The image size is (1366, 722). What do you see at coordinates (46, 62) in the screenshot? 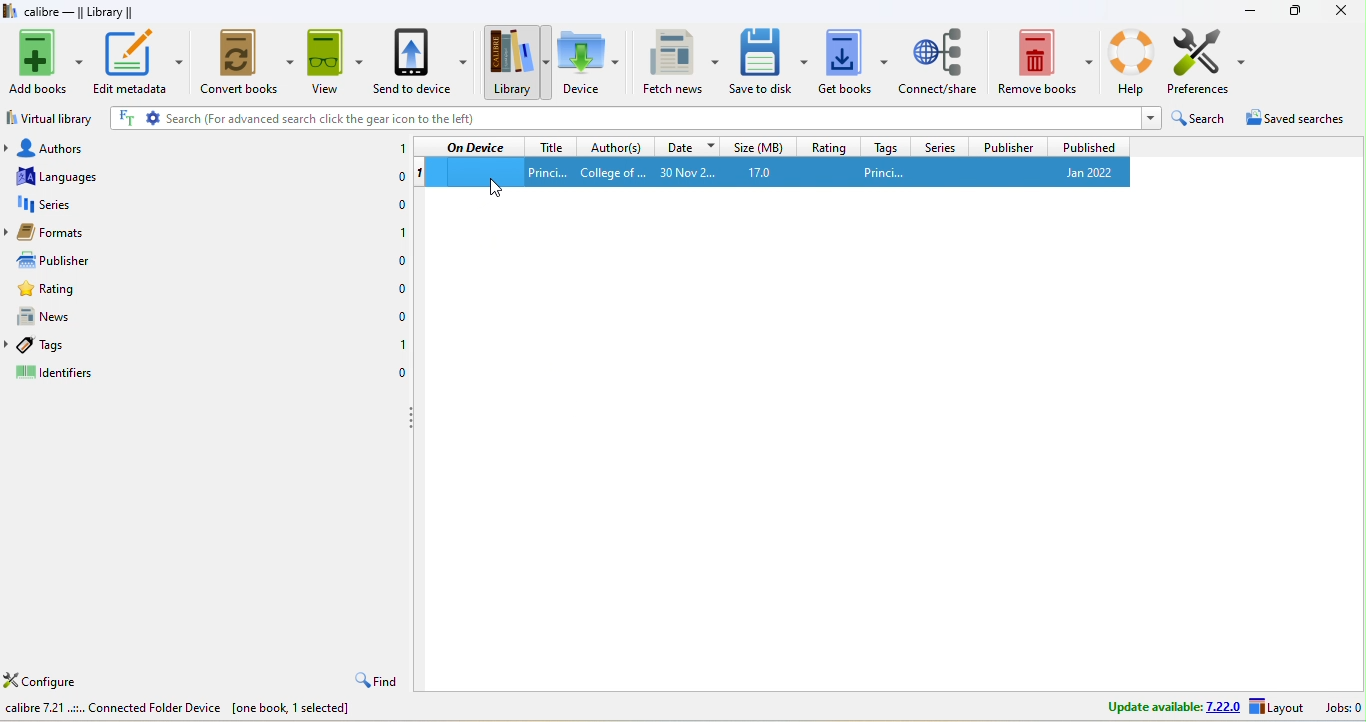
I see `add books` at bounding box center [46, 62].